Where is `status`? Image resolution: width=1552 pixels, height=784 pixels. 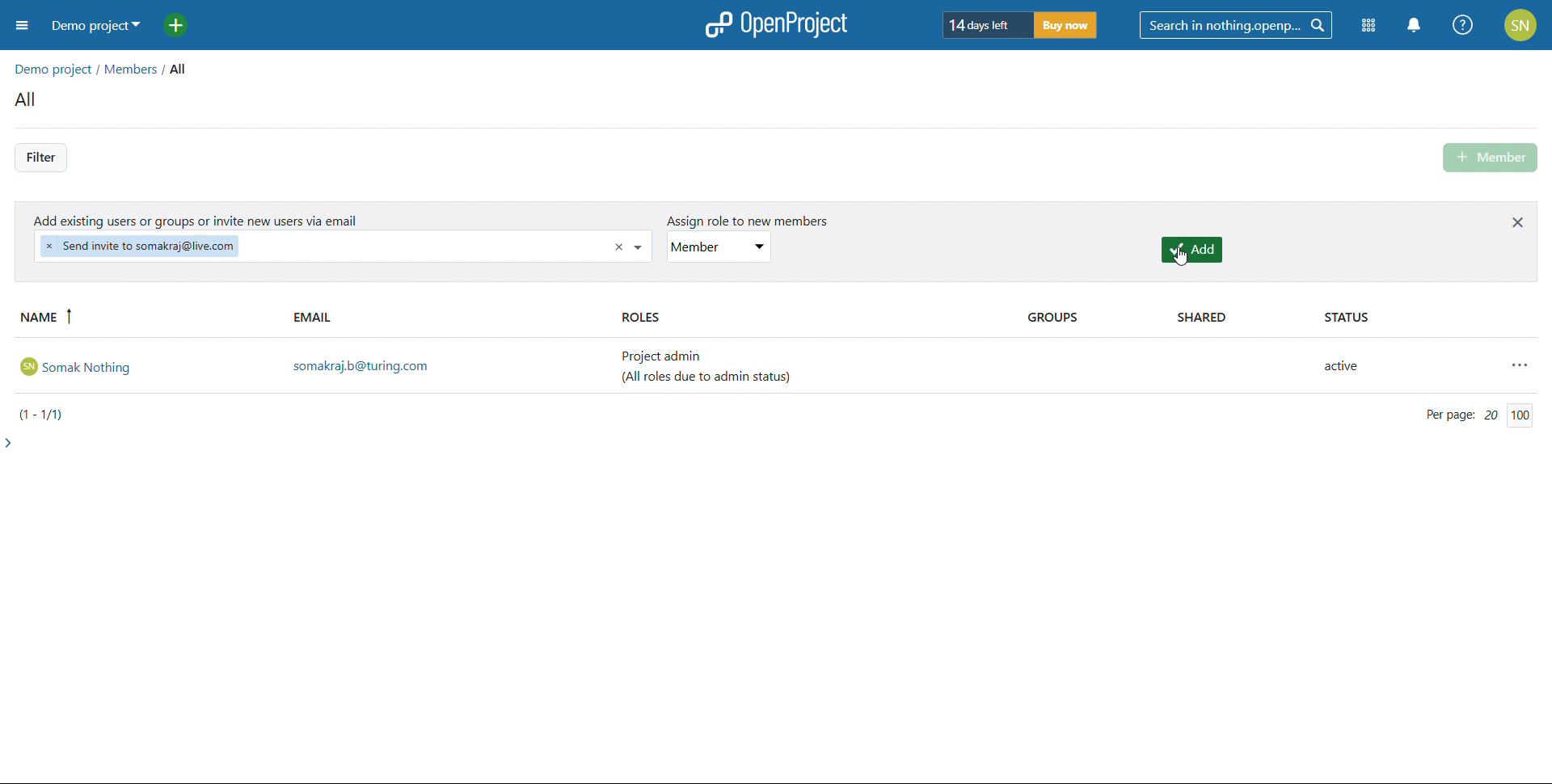 status is located at coordinates (1420, 318).